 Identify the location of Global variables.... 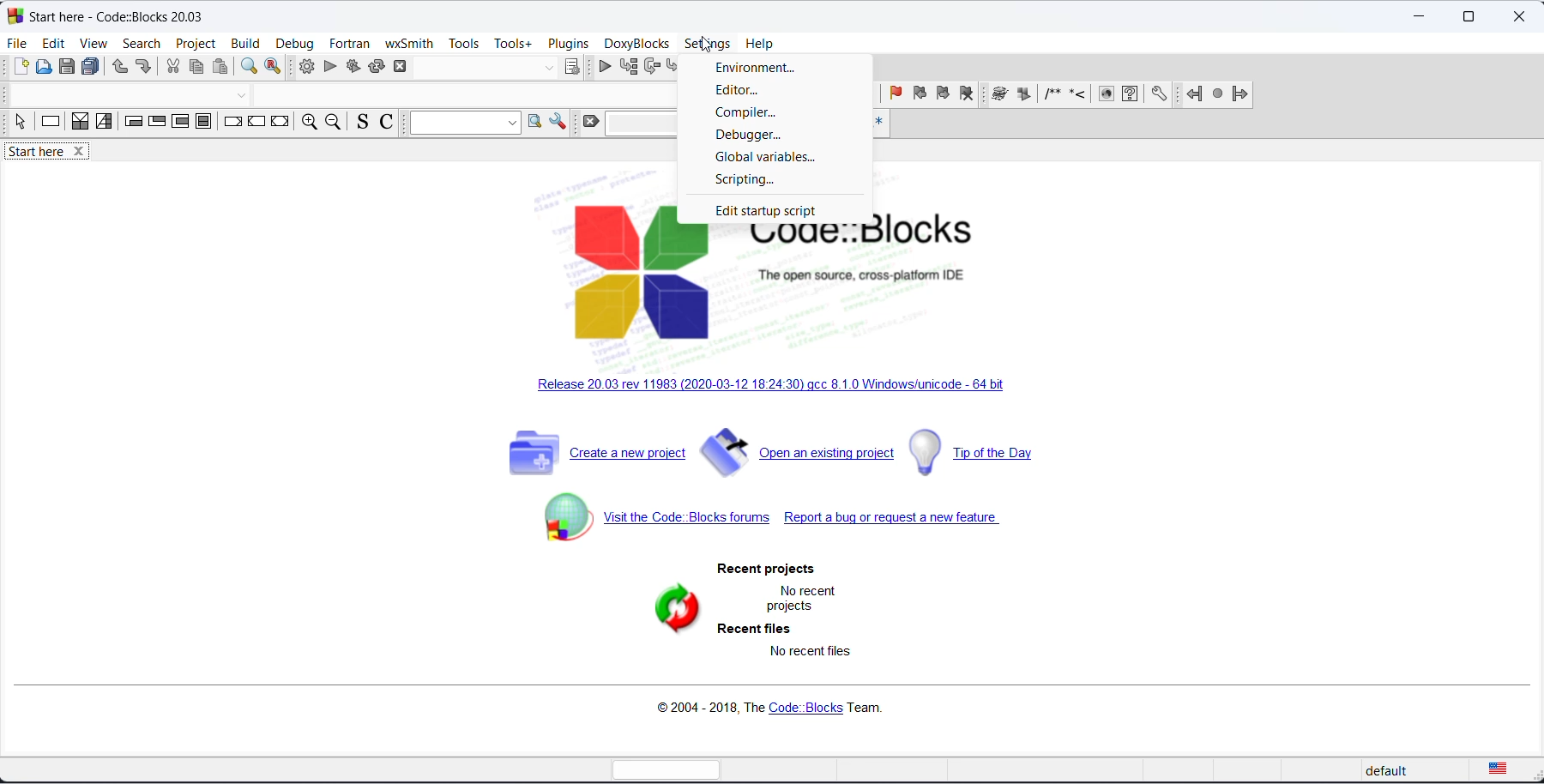
(768, 158).